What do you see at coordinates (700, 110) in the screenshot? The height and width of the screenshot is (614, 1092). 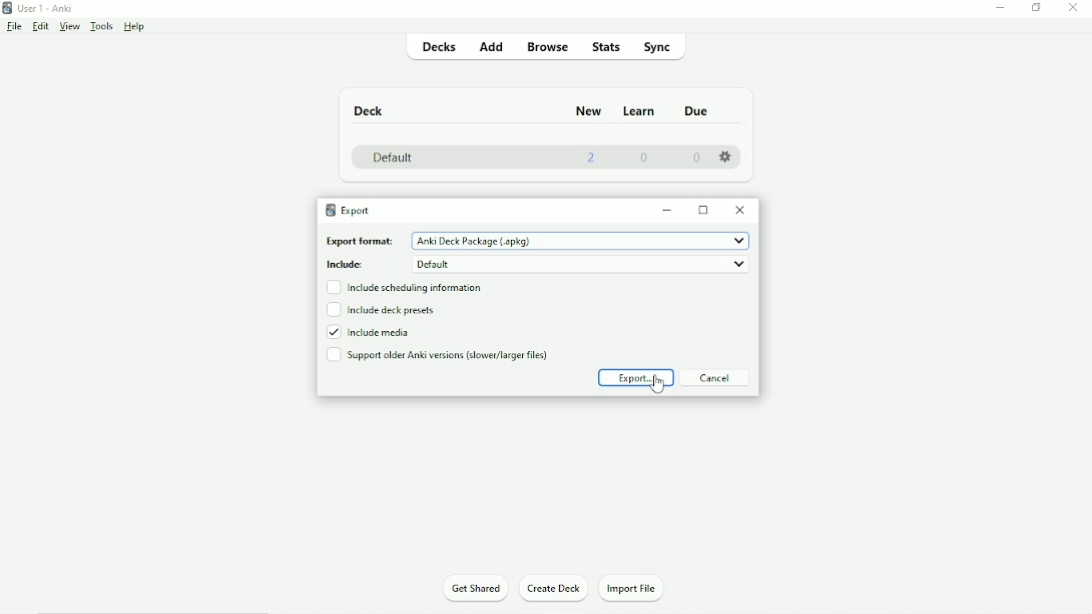 I see `Due` at bounding box center [700, 110].